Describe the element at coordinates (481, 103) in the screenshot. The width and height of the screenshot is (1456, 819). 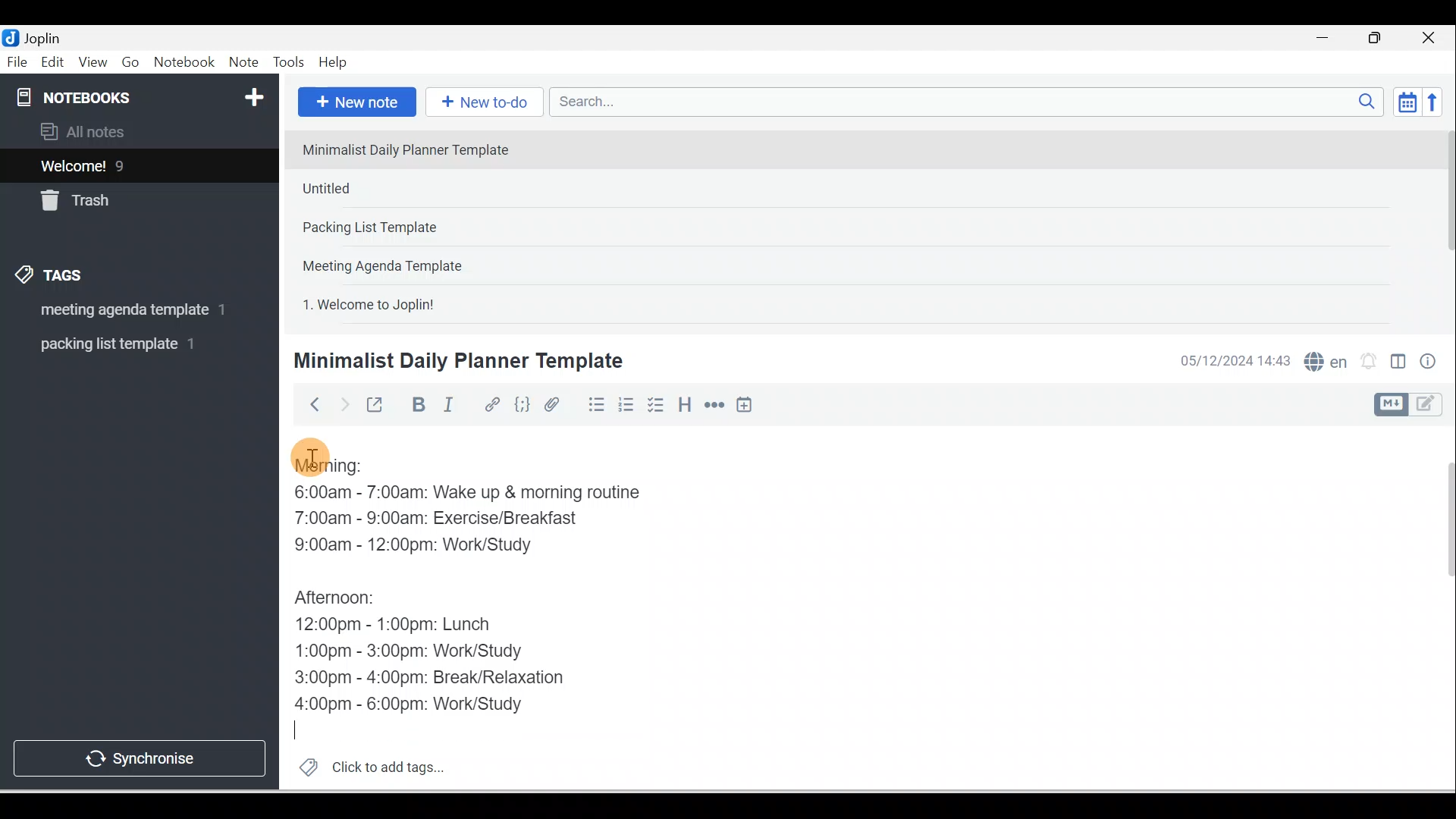
I see `New to-do` at that location.